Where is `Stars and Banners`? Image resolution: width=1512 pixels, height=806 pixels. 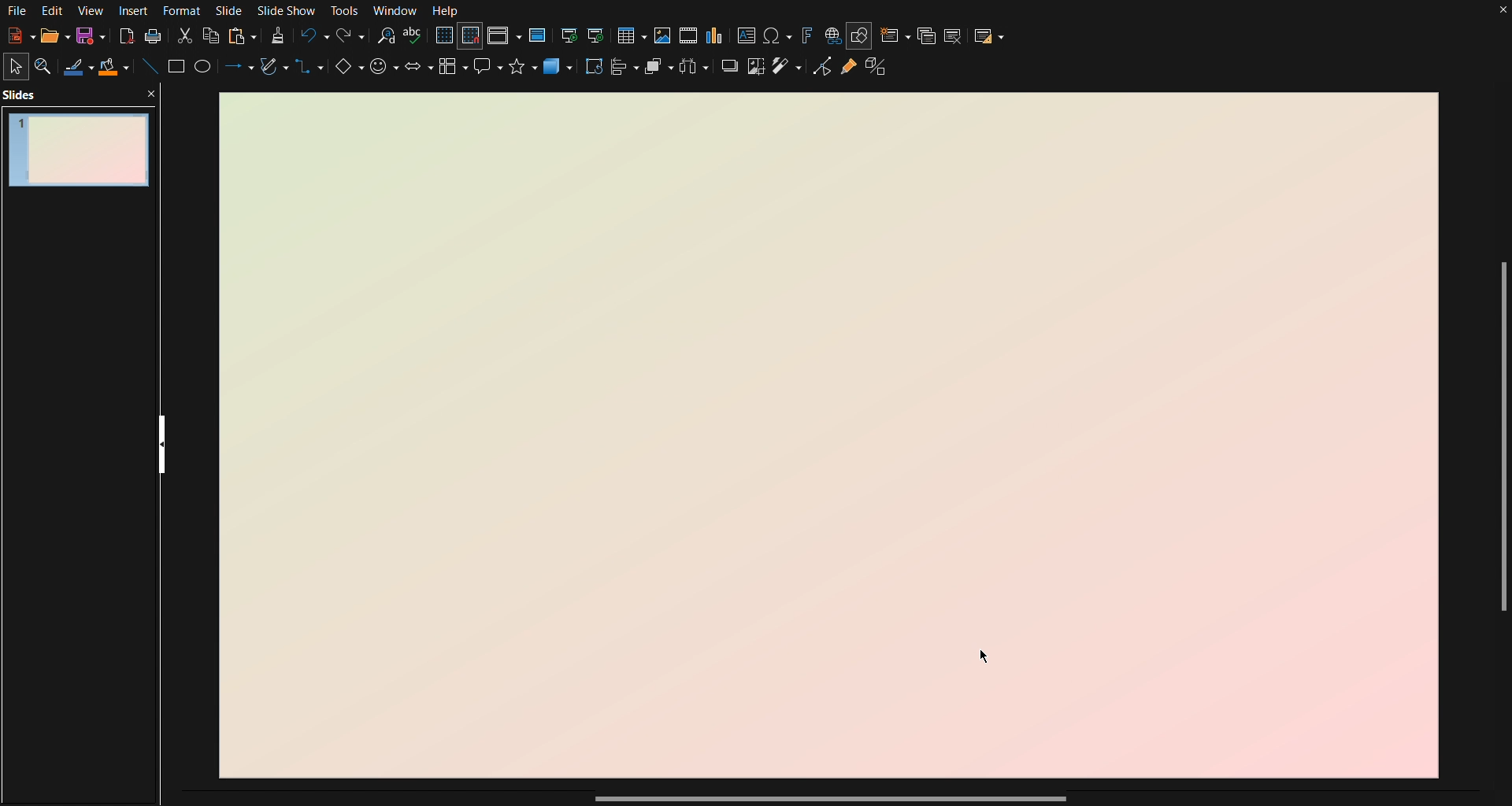
Stars and Banners is located at coordinates (524, 72).